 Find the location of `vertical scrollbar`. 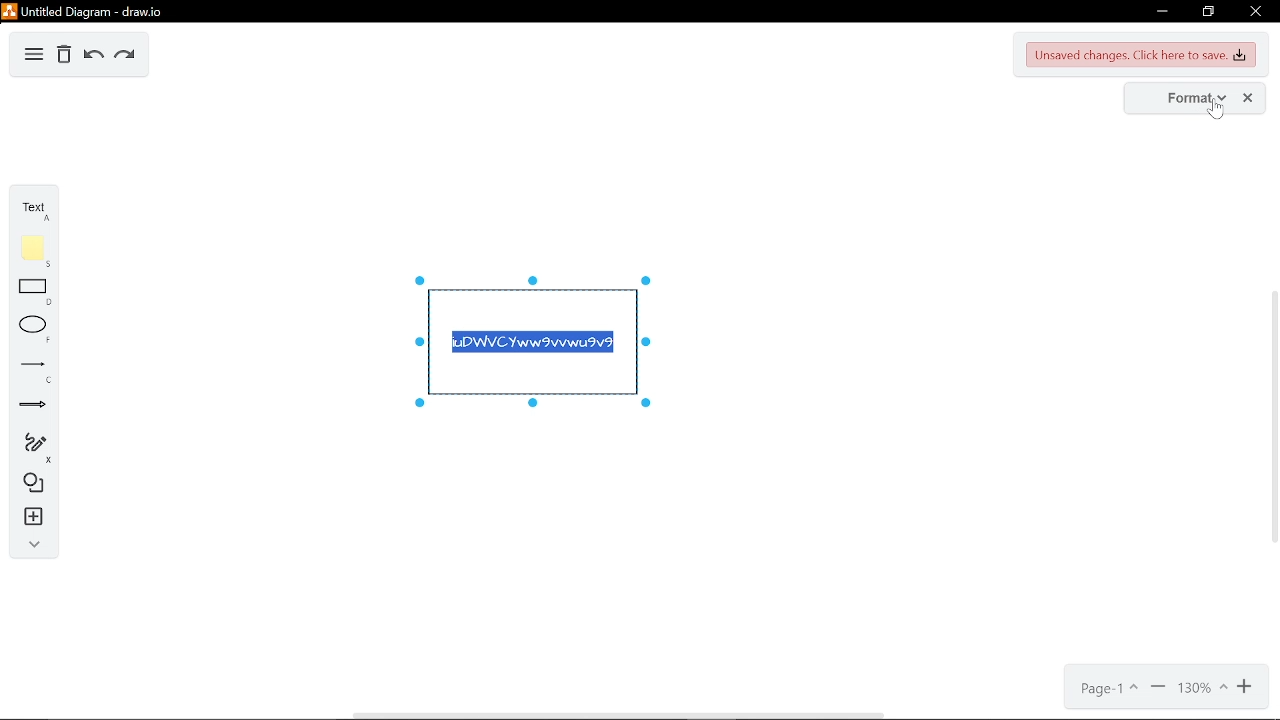

vertical scrollbar is located at coordinates (1272, 418).